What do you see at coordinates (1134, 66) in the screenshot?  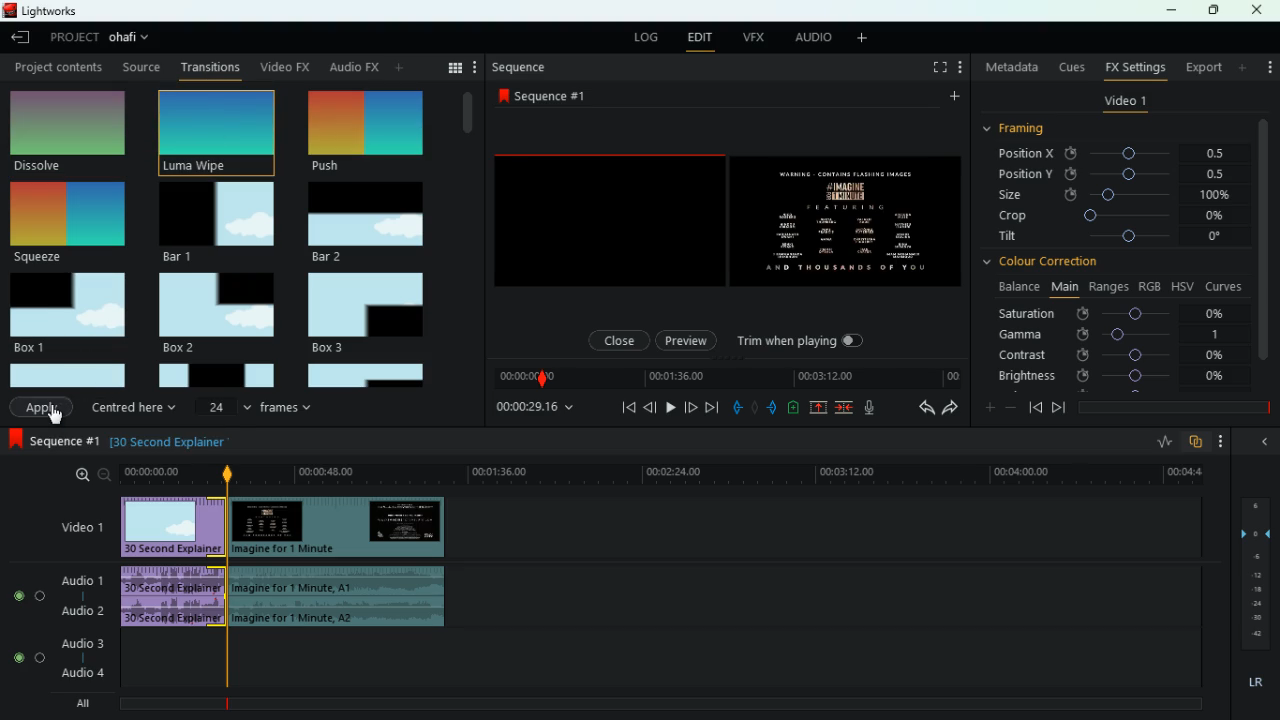 I see `fx settings` at bounding box center [1134, 66].